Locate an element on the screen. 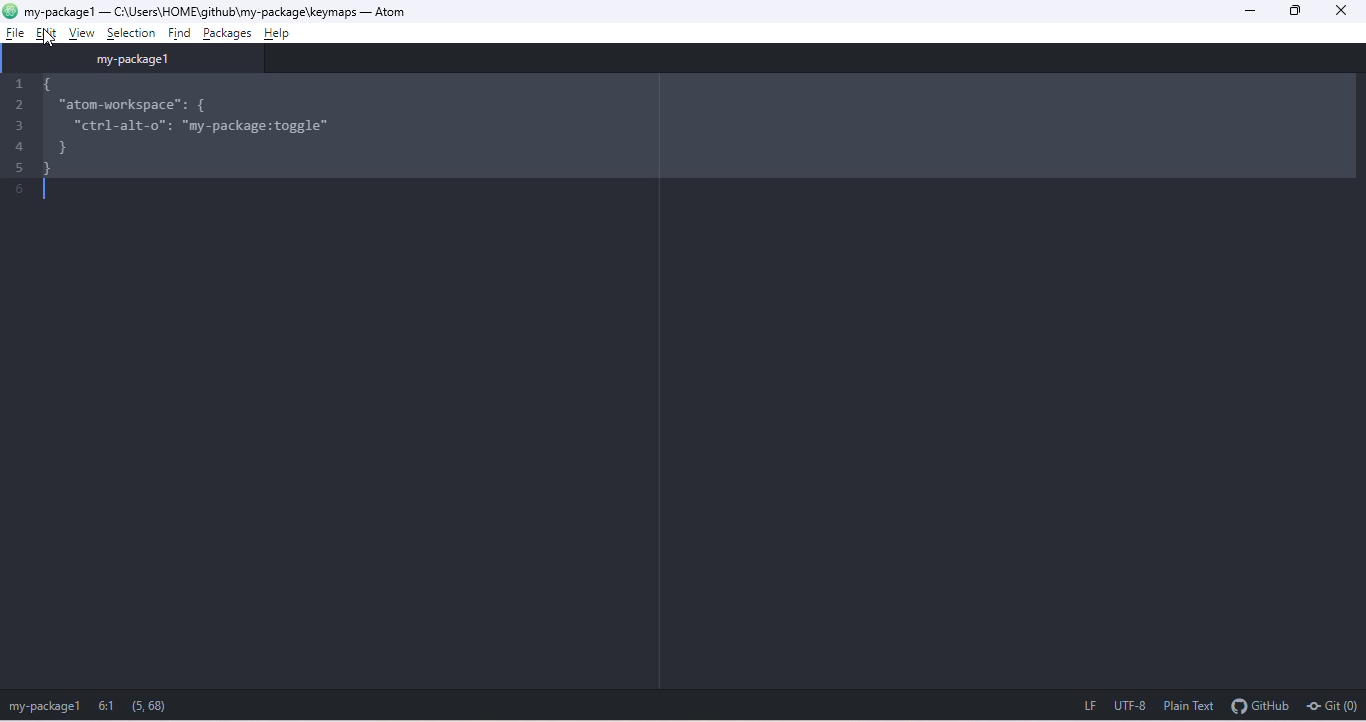 This screenshot has width=1366, height=722. git (0) is located at coordinates (1334, 708).